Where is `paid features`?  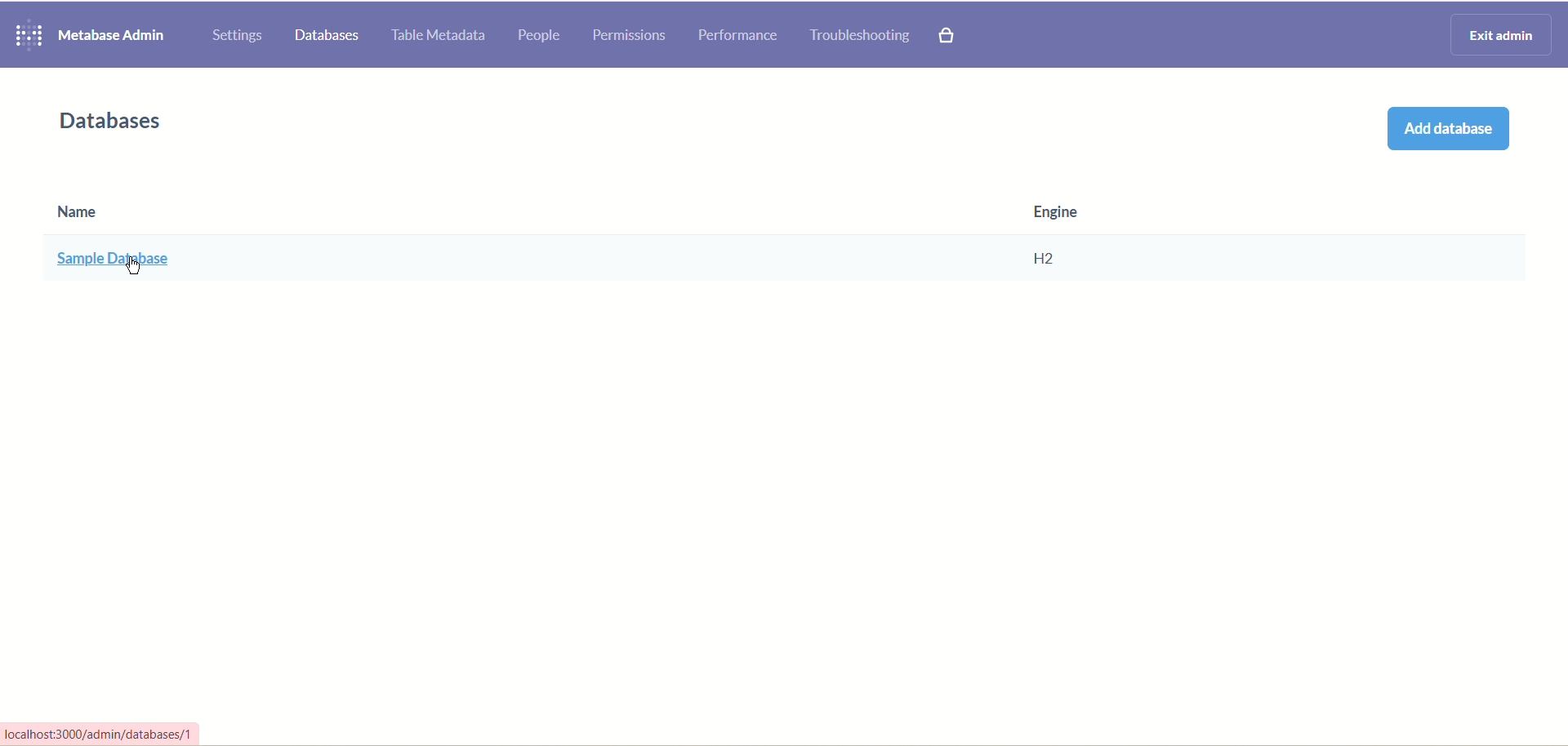
paid features is located at coordinates (950, 38).